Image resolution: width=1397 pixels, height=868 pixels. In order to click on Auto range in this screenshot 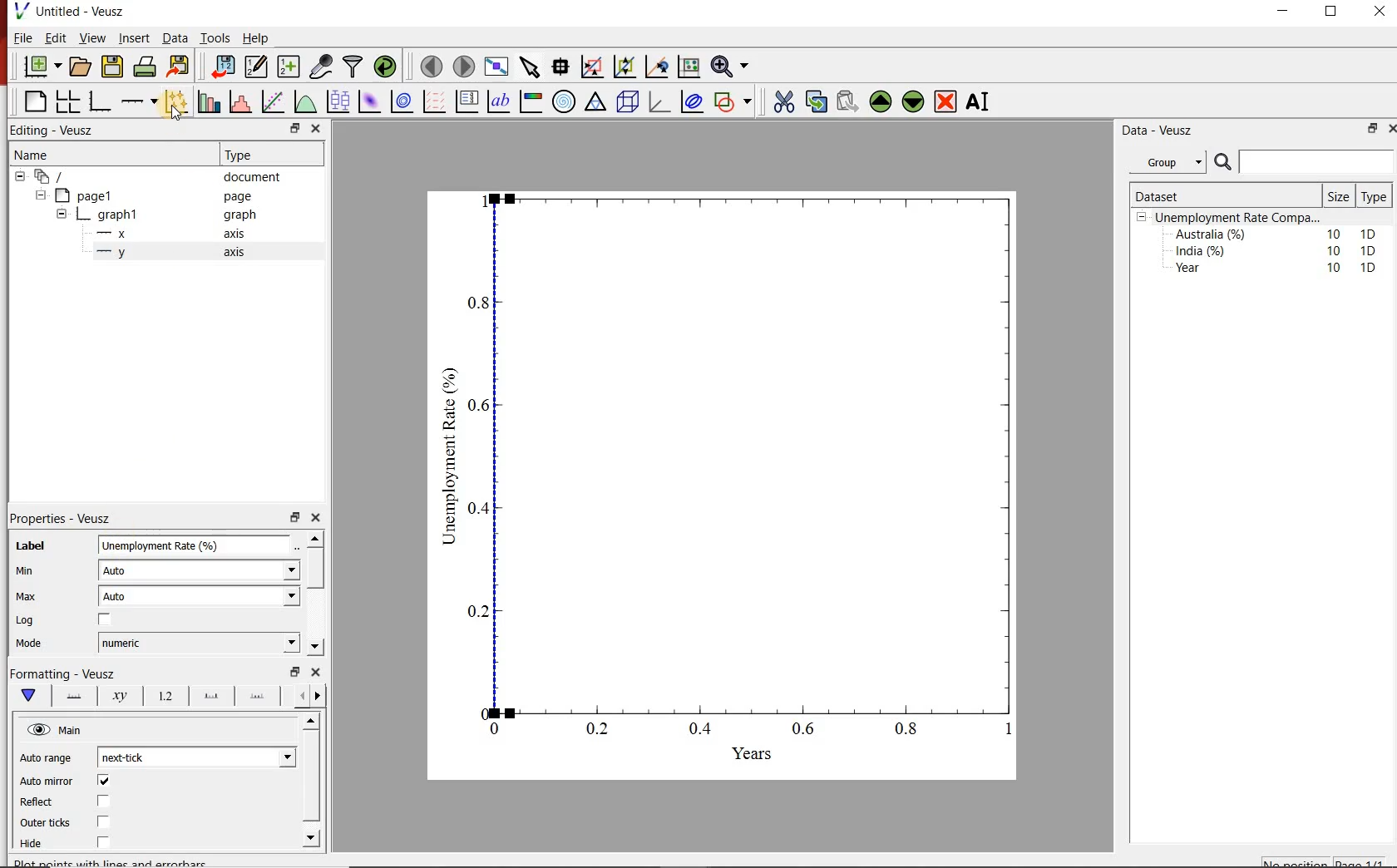, I will do `click(48, 760)`.